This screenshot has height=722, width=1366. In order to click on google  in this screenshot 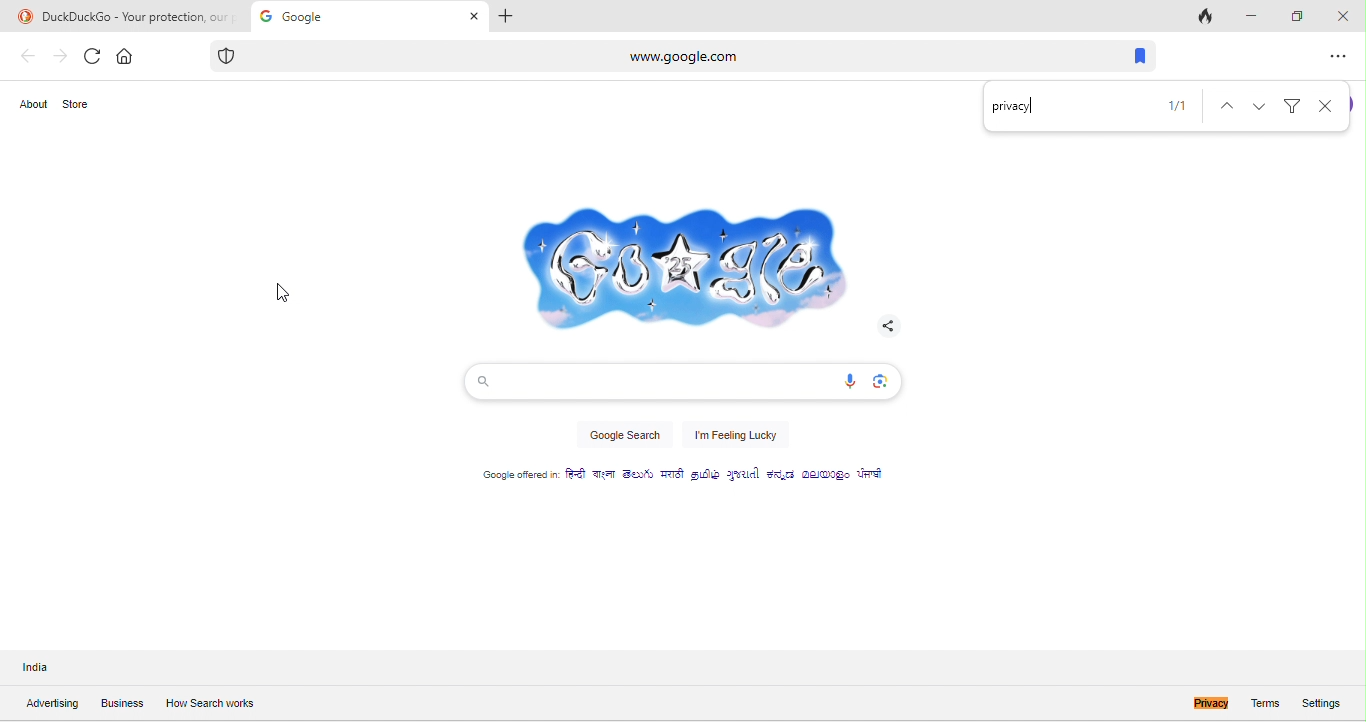, I will do `click(678, 261)`.